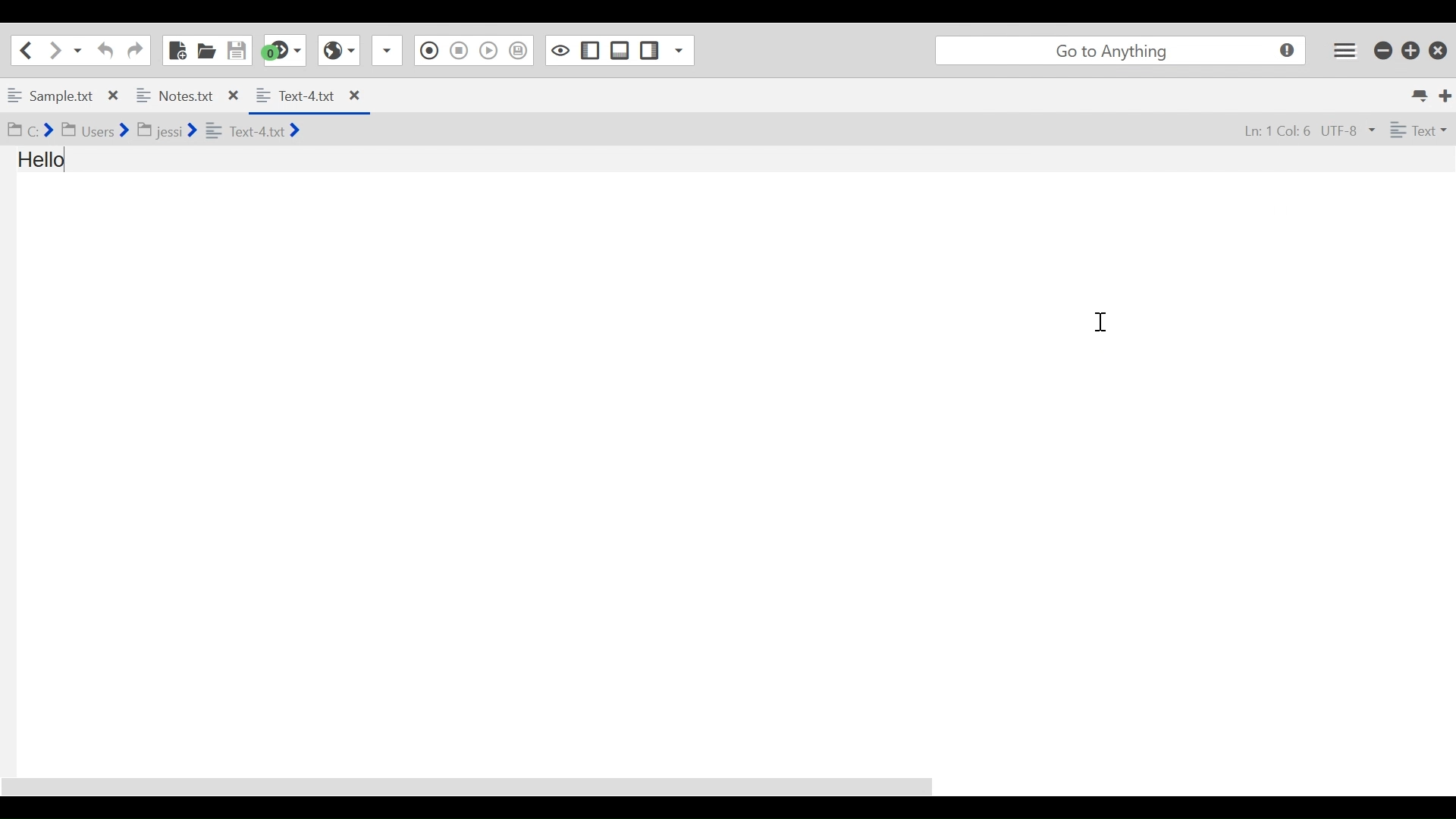 This screenshot has width=1456, height=819. Describe the element at coordinates (1423, 96) in the screenshot. I see `List all tabs` at that location.